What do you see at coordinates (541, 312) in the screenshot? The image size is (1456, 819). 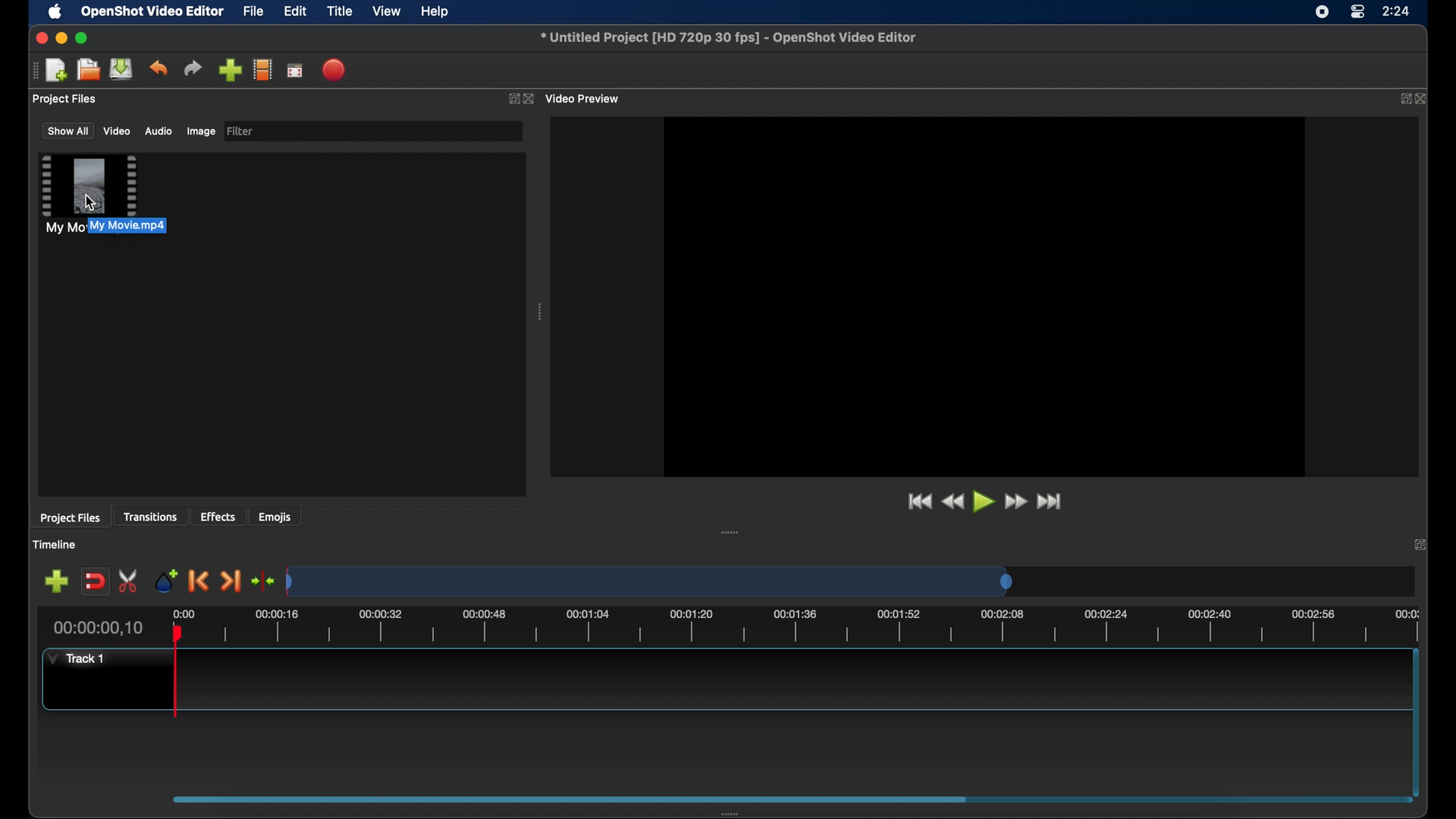 I see `drag handle` at bounding box center [541, 312].